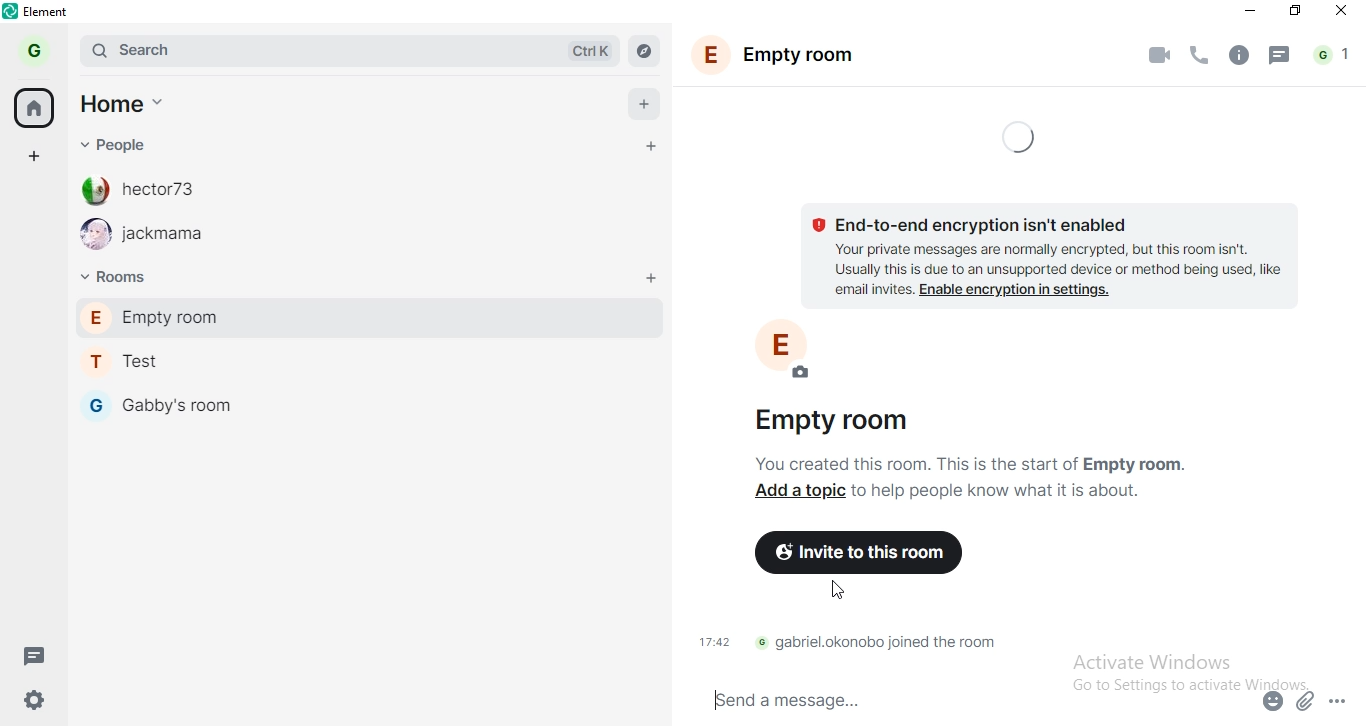  What do you see at coordinates (150, 190) in the screenshot?
I see `hector73` at bounding box center [150, 190].